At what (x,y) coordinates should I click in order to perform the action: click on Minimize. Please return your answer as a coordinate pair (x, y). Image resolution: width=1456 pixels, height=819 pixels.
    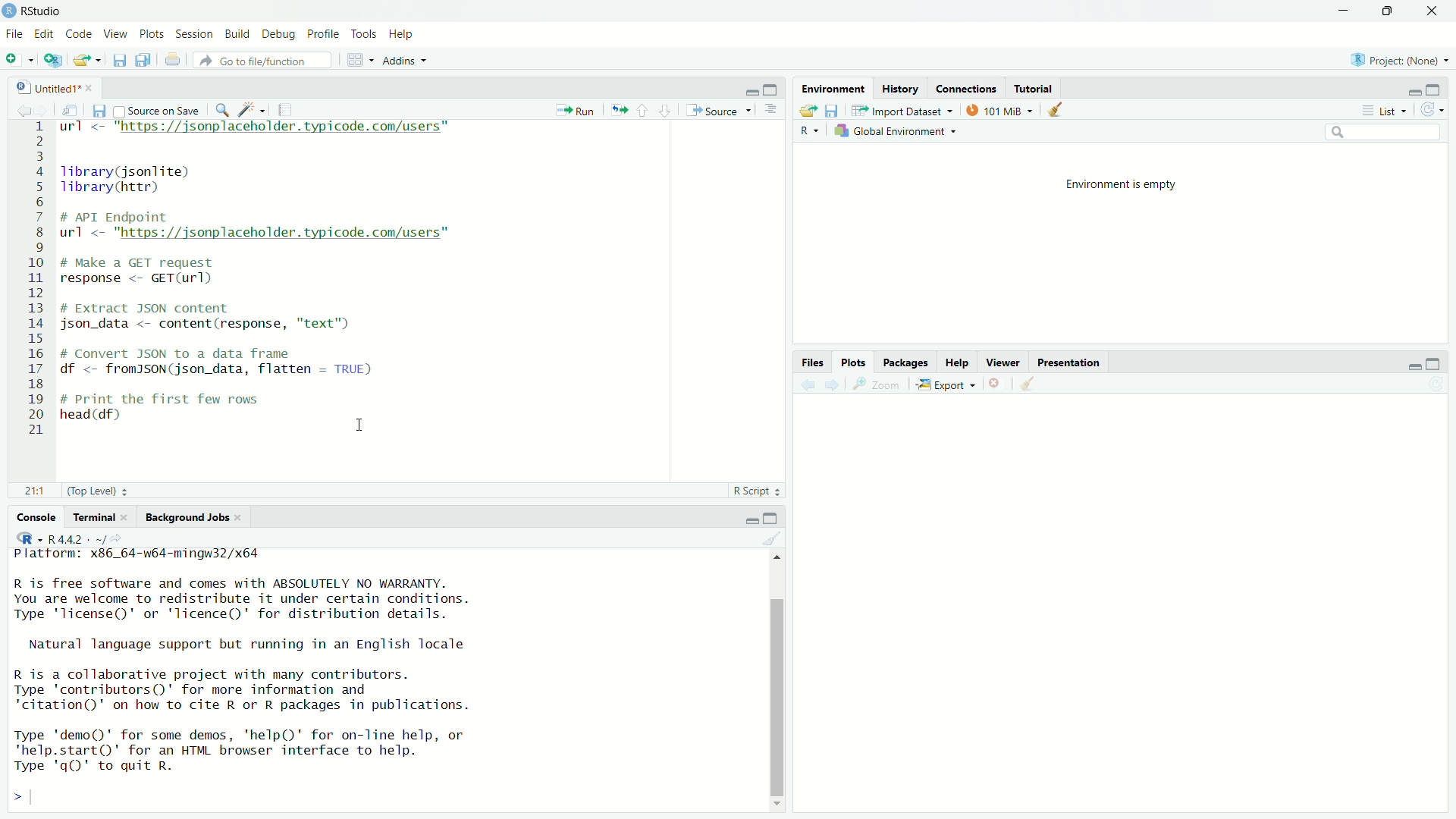
    Looking at the image, I should click on (749, 520).